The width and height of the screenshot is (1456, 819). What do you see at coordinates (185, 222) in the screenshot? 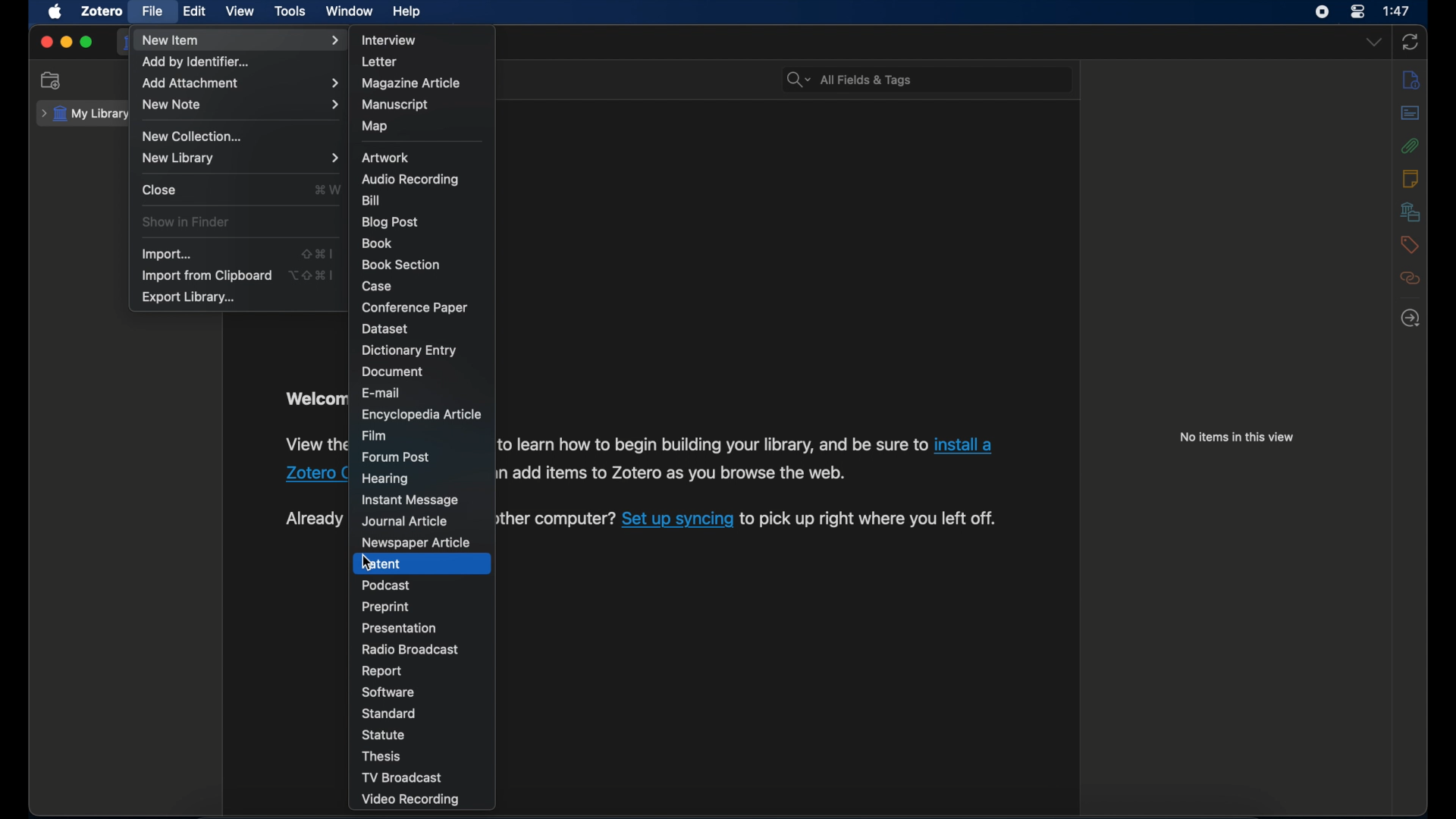
I see `show in finder` at bounding box center [185, 222].